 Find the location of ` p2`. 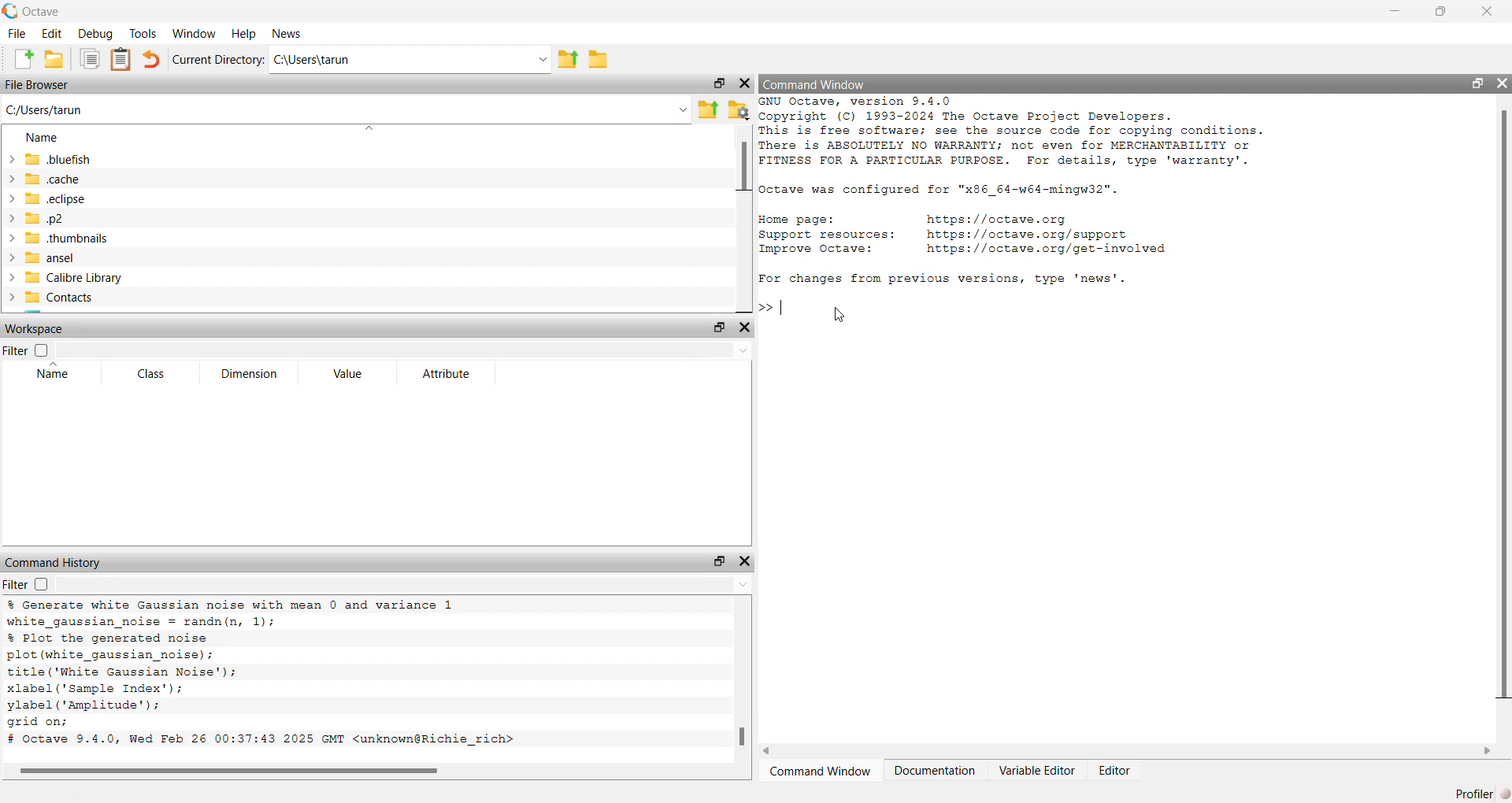

 p2 is located at coordinates (46, 220).